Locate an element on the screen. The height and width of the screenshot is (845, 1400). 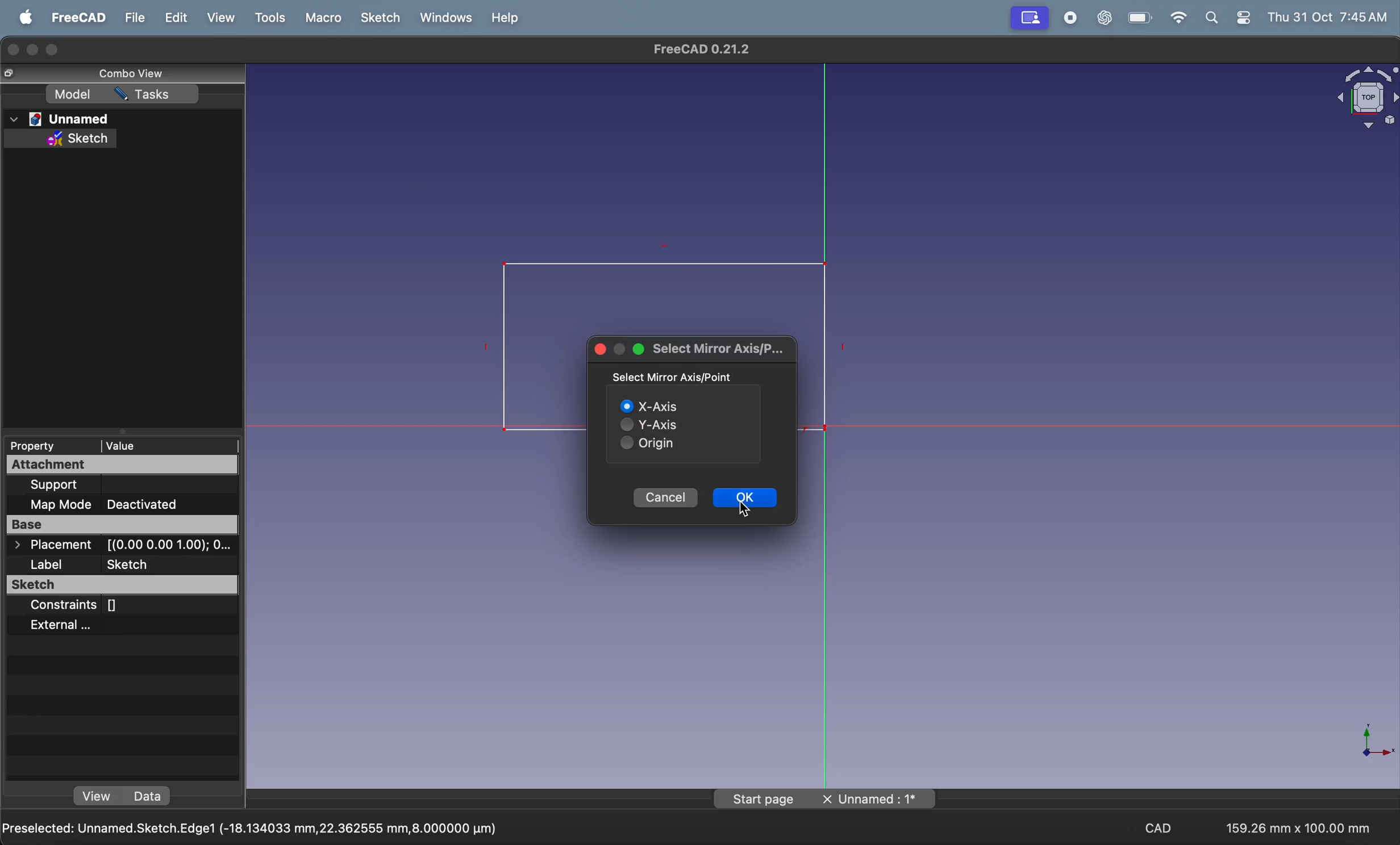
ok is located at coordinates (744, 498).